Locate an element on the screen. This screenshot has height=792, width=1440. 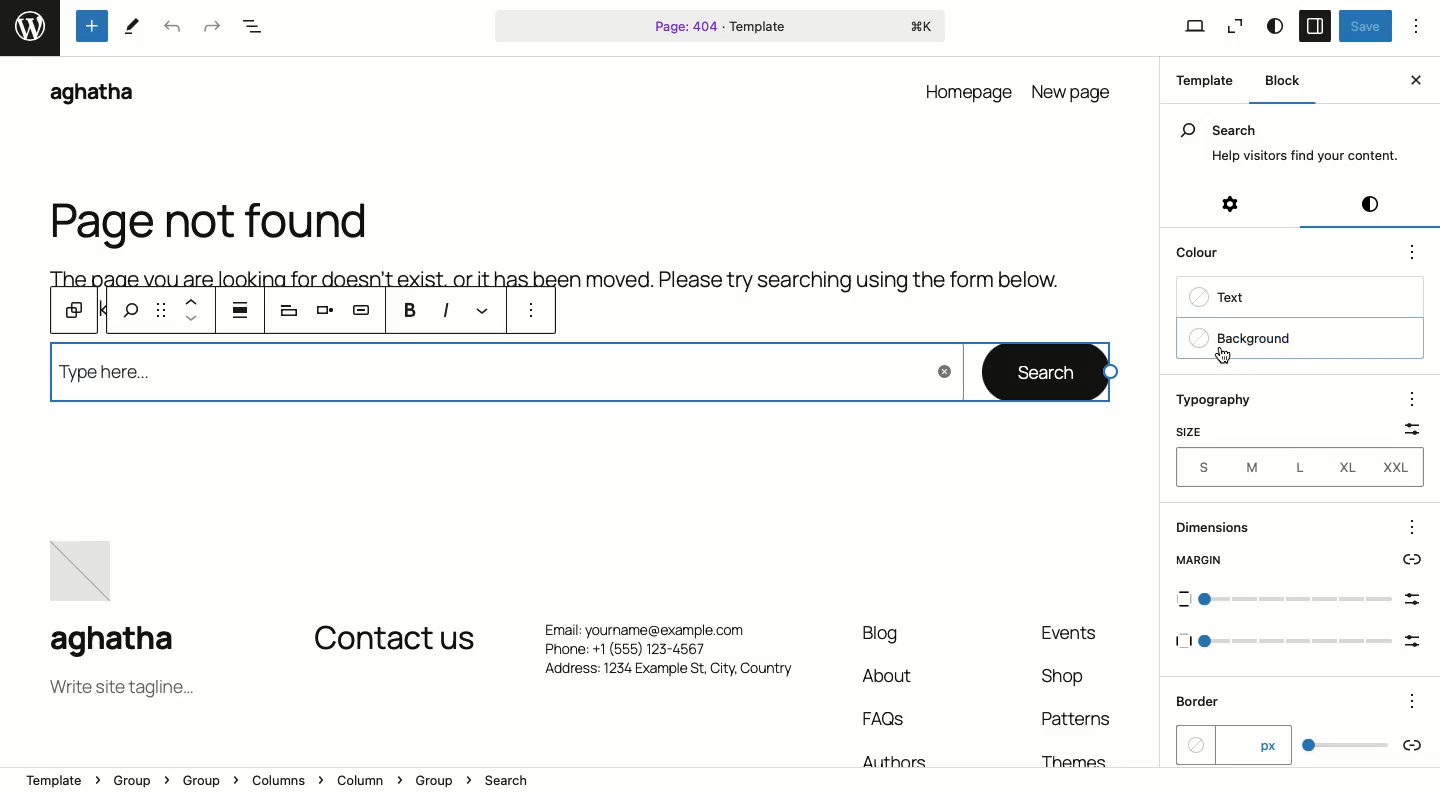
Border is located at coordinates (1202, 702).